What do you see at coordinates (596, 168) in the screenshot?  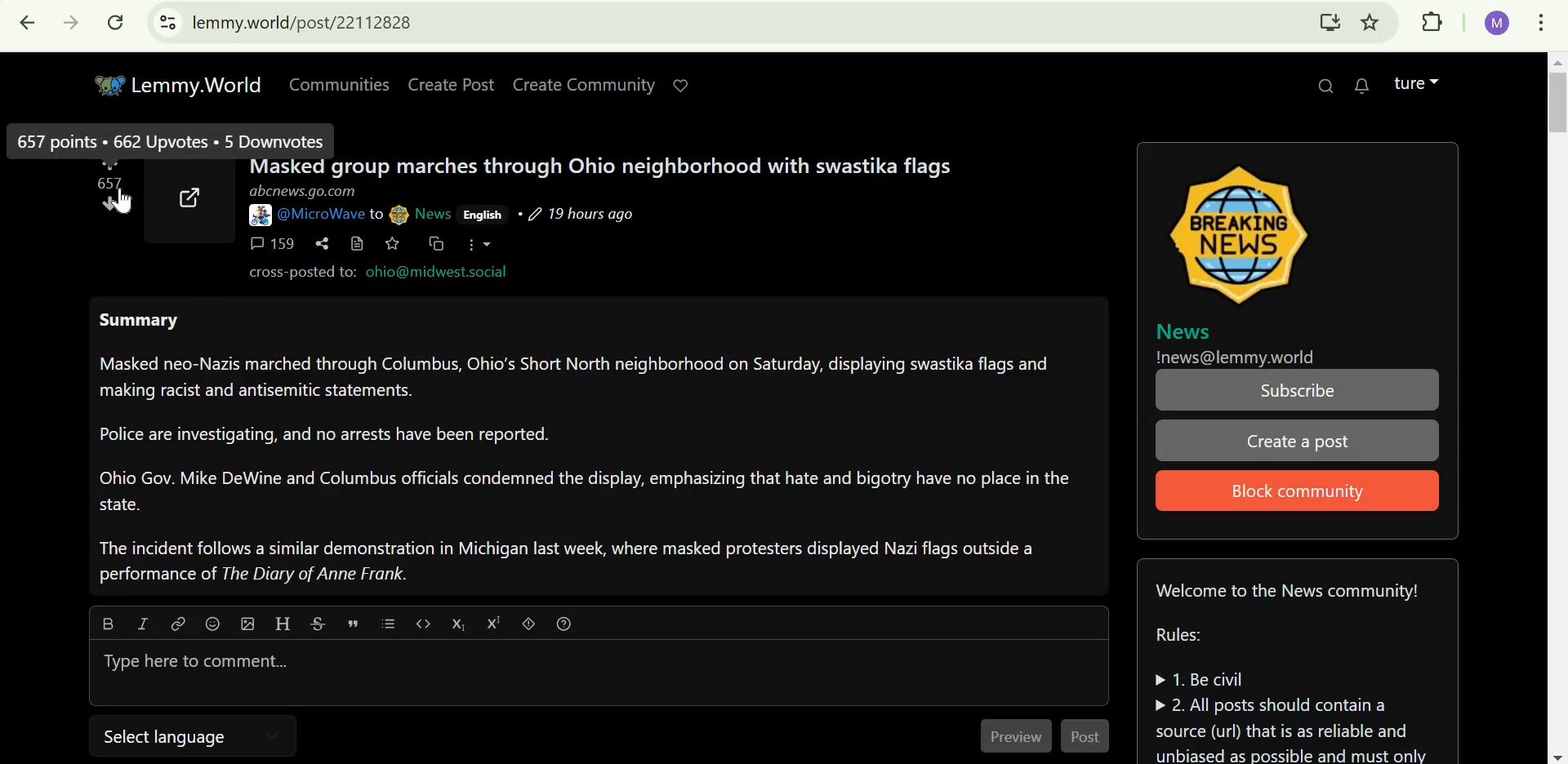 I see `Masked group marches through Ohio neighborhood with swastika flags` at bounding box center [596, 168].